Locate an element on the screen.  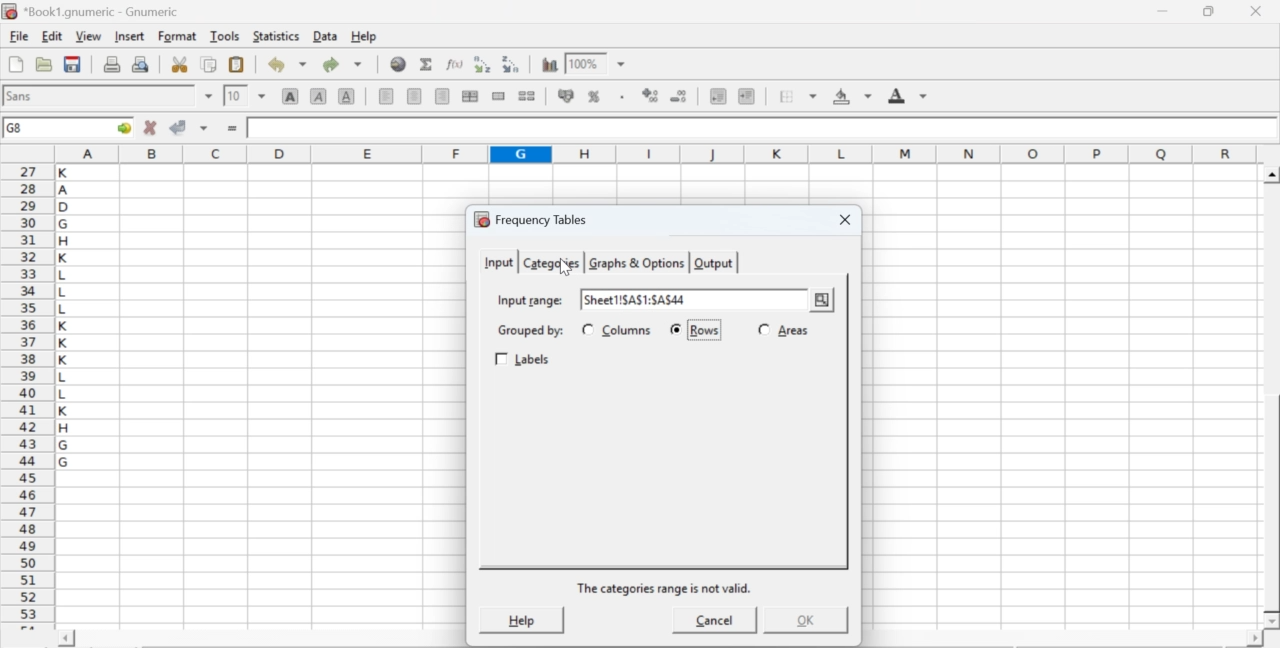
cursor is located at coordinates (564, 268).